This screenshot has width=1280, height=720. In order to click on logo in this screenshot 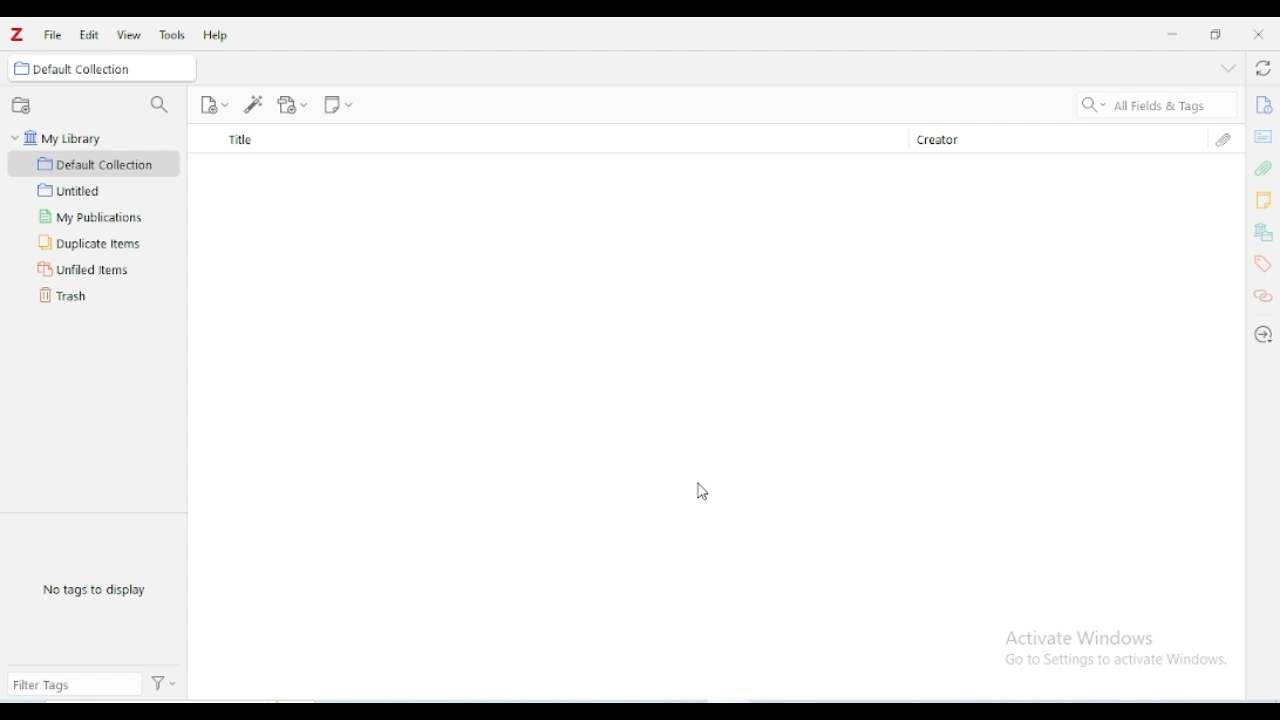, I will do `click(17, 34)`.